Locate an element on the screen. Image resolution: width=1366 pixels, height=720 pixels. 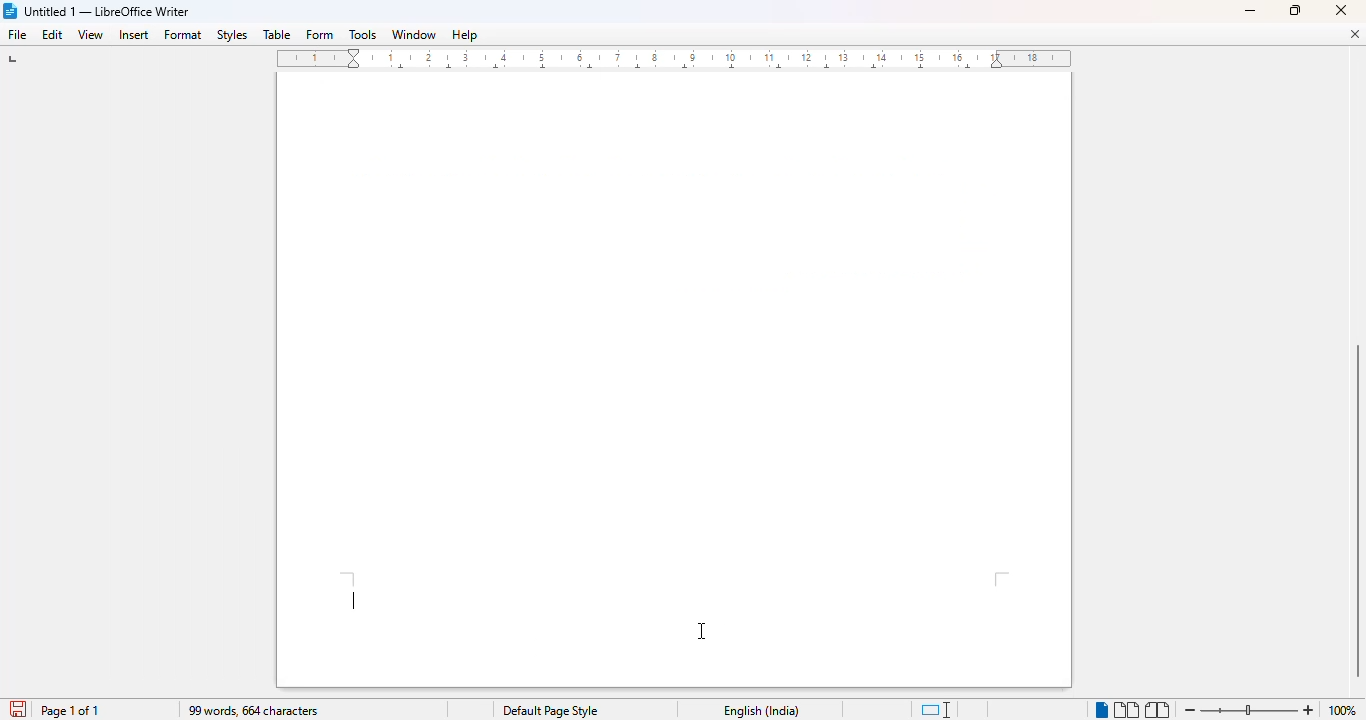
Untitled 1 -- LibreOffice Writer is located at coordinates (110, 10).